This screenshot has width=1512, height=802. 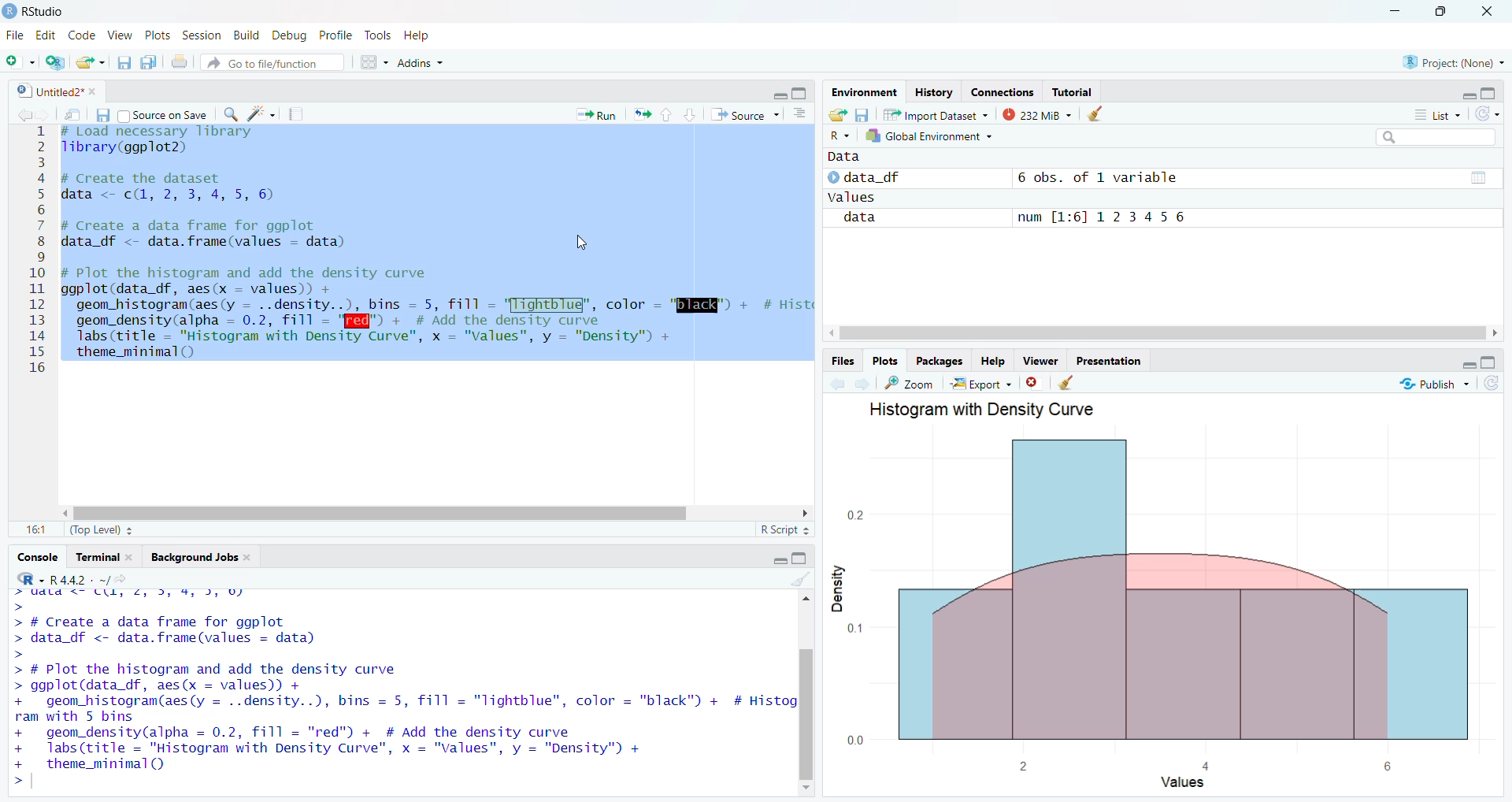 I want to click on # Create the dataset
data <- c(, 2, 3, 4, 5, 6), so click(x=173, y=190).